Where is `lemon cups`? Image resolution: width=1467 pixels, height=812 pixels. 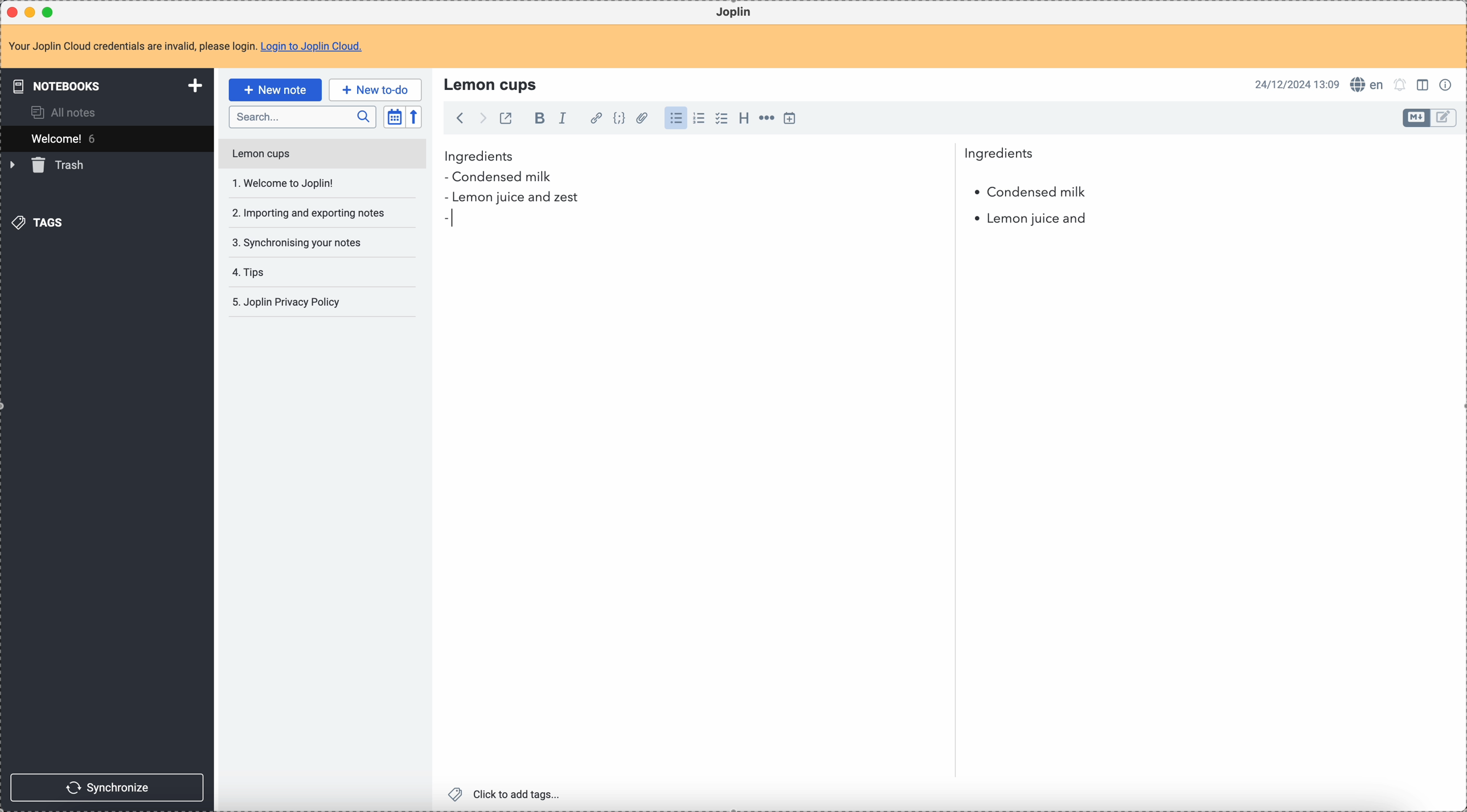 lemon cups is located at coordinates (493, 84).